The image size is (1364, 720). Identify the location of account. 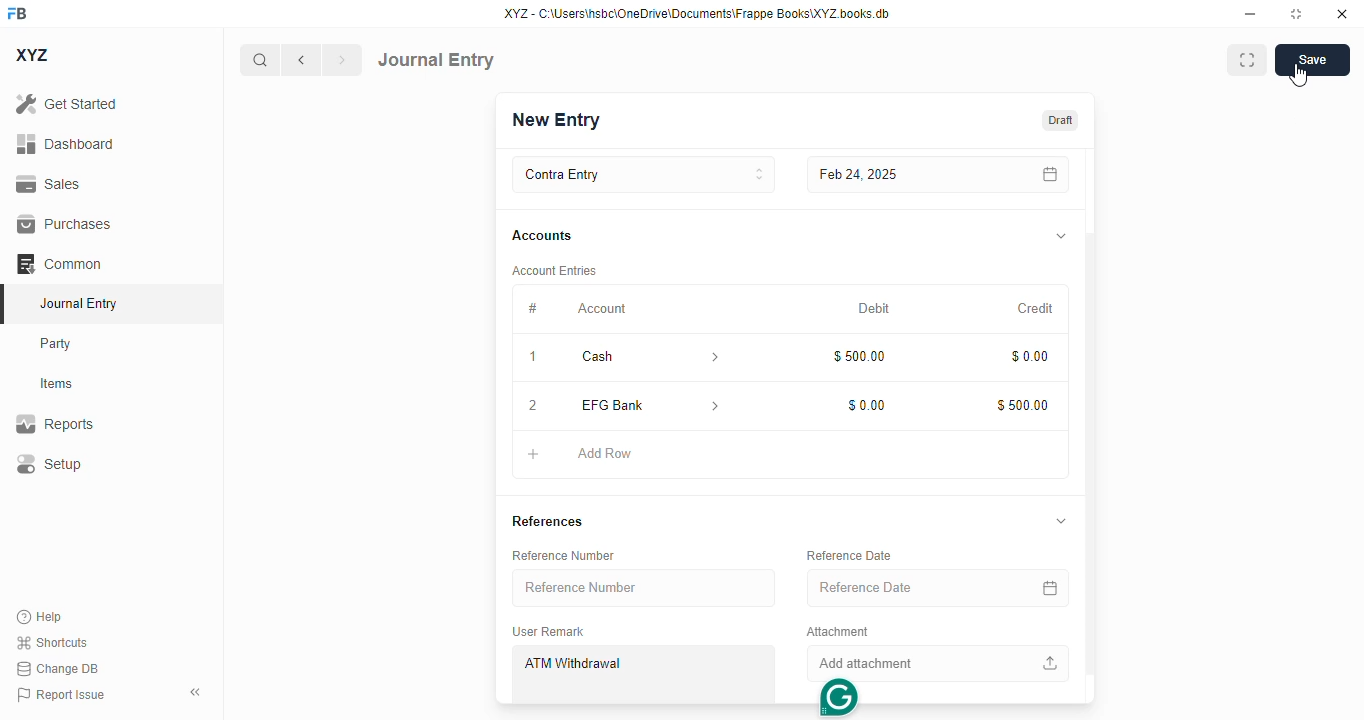
(602, 309).